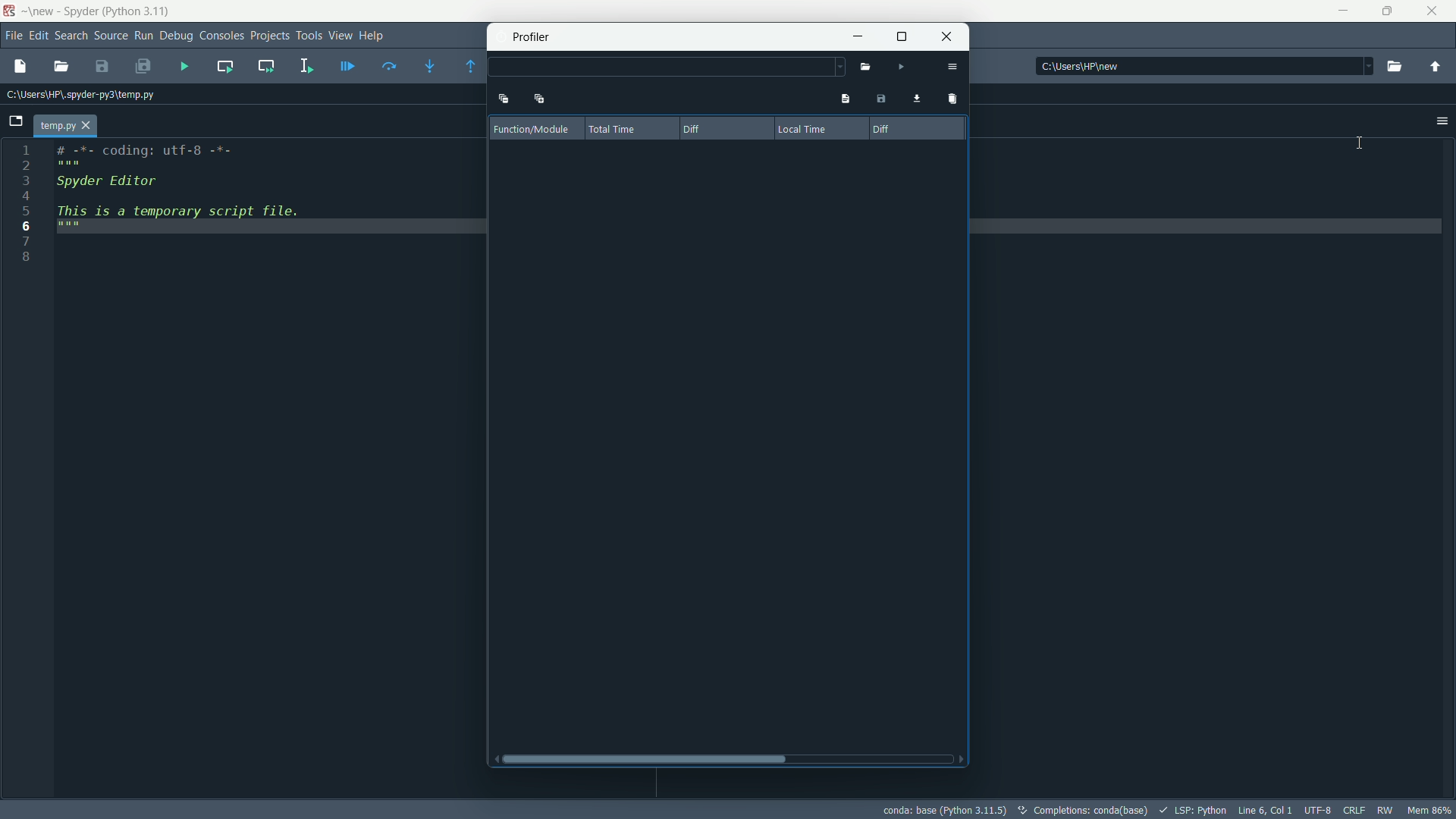  What do you see at coordinates (881, 99) in the screenshot?
I see `save profiling data` at bounding box center [881, 99].